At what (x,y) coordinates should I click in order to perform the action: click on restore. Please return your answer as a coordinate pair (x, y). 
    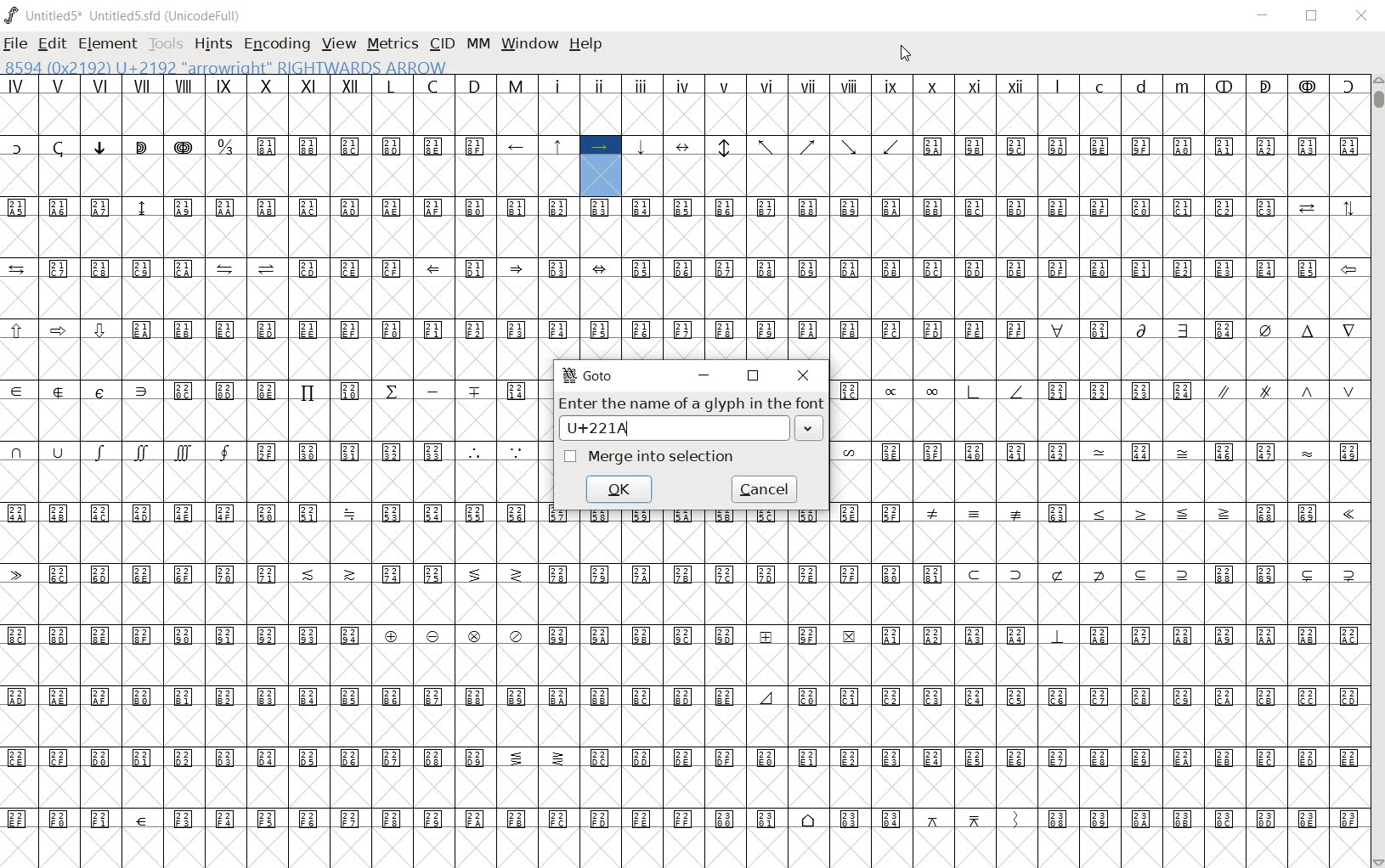
    Looking at the image, I should click on (755, 376).